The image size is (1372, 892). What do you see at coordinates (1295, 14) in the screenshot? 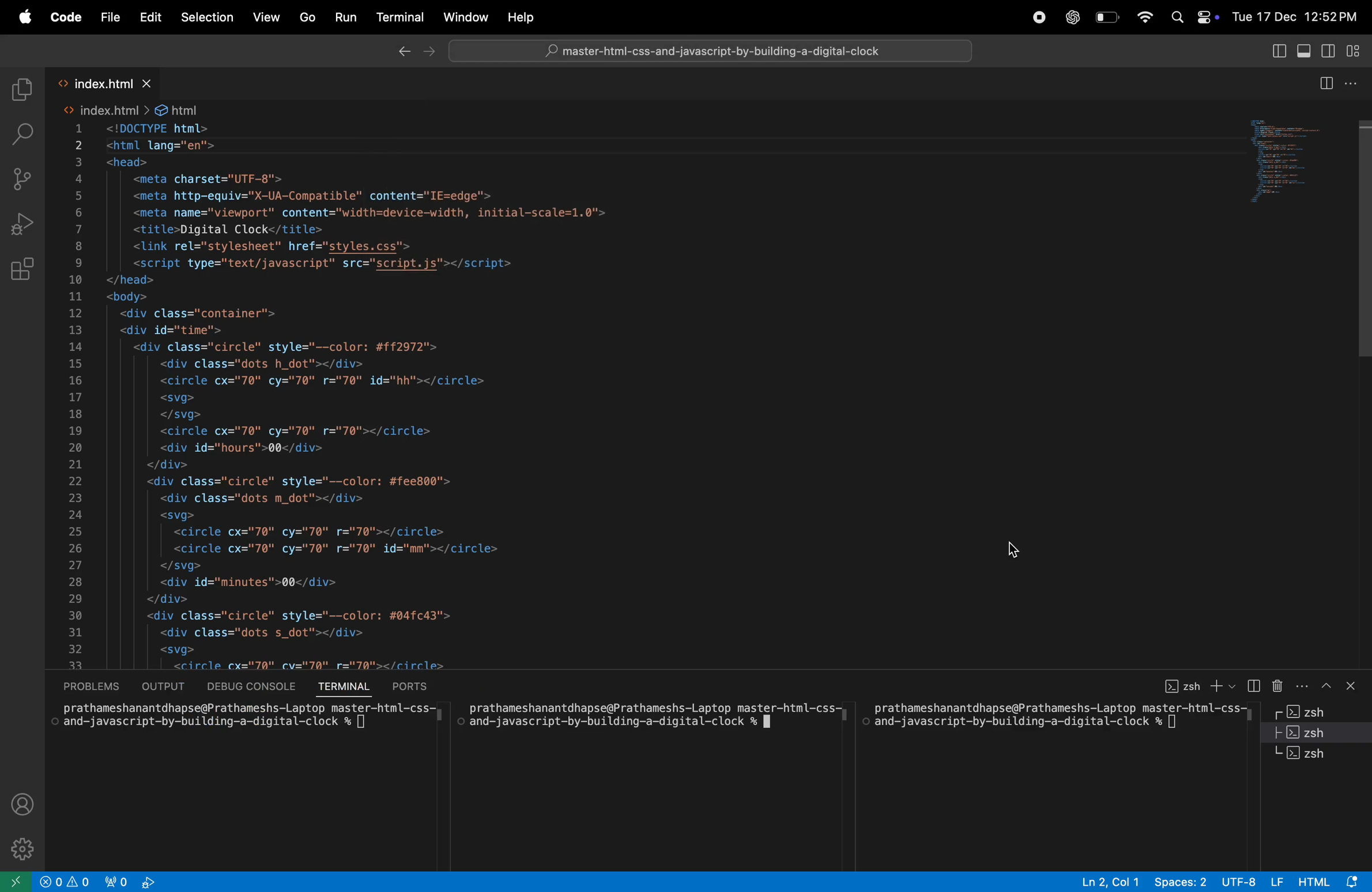
I see `Tue 17 Dec, 12:52 PM` at bounding box center [1295, 14].